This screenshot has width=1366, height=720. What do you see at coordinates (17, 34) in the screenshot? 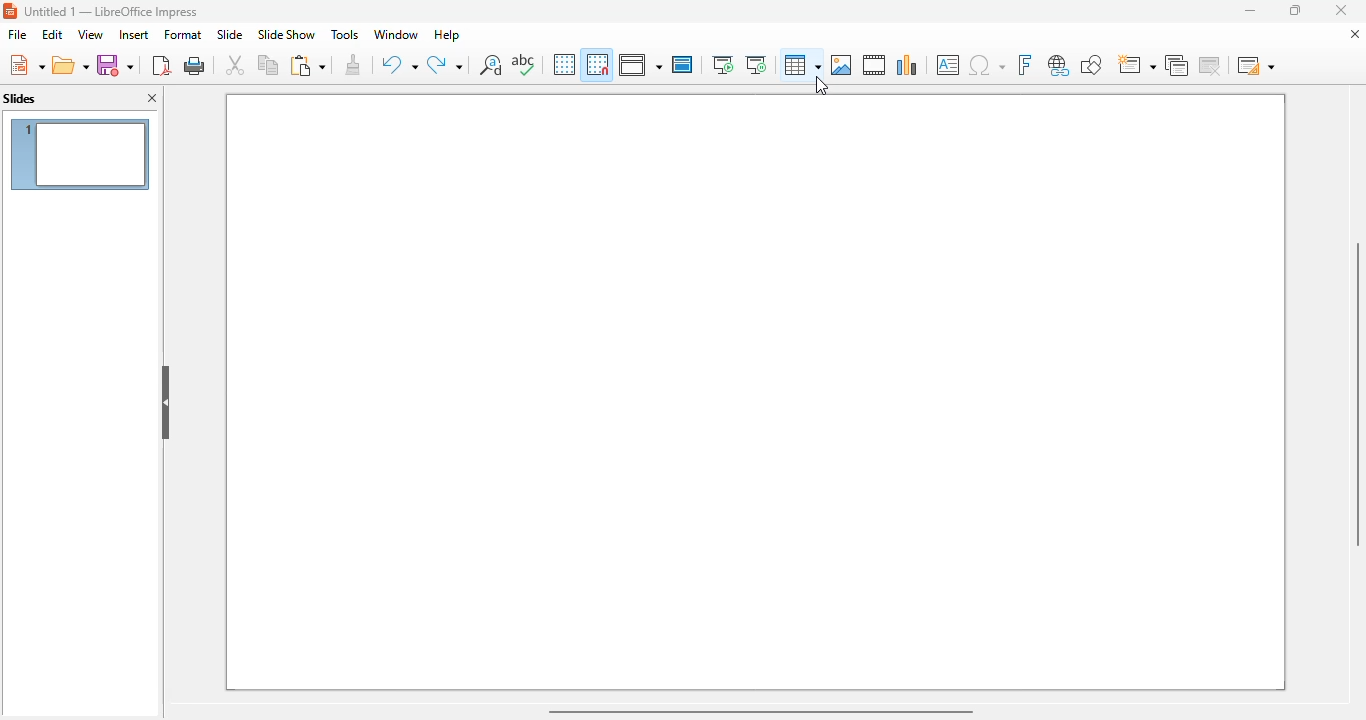
I see `file` at bounding box center [17, 34].